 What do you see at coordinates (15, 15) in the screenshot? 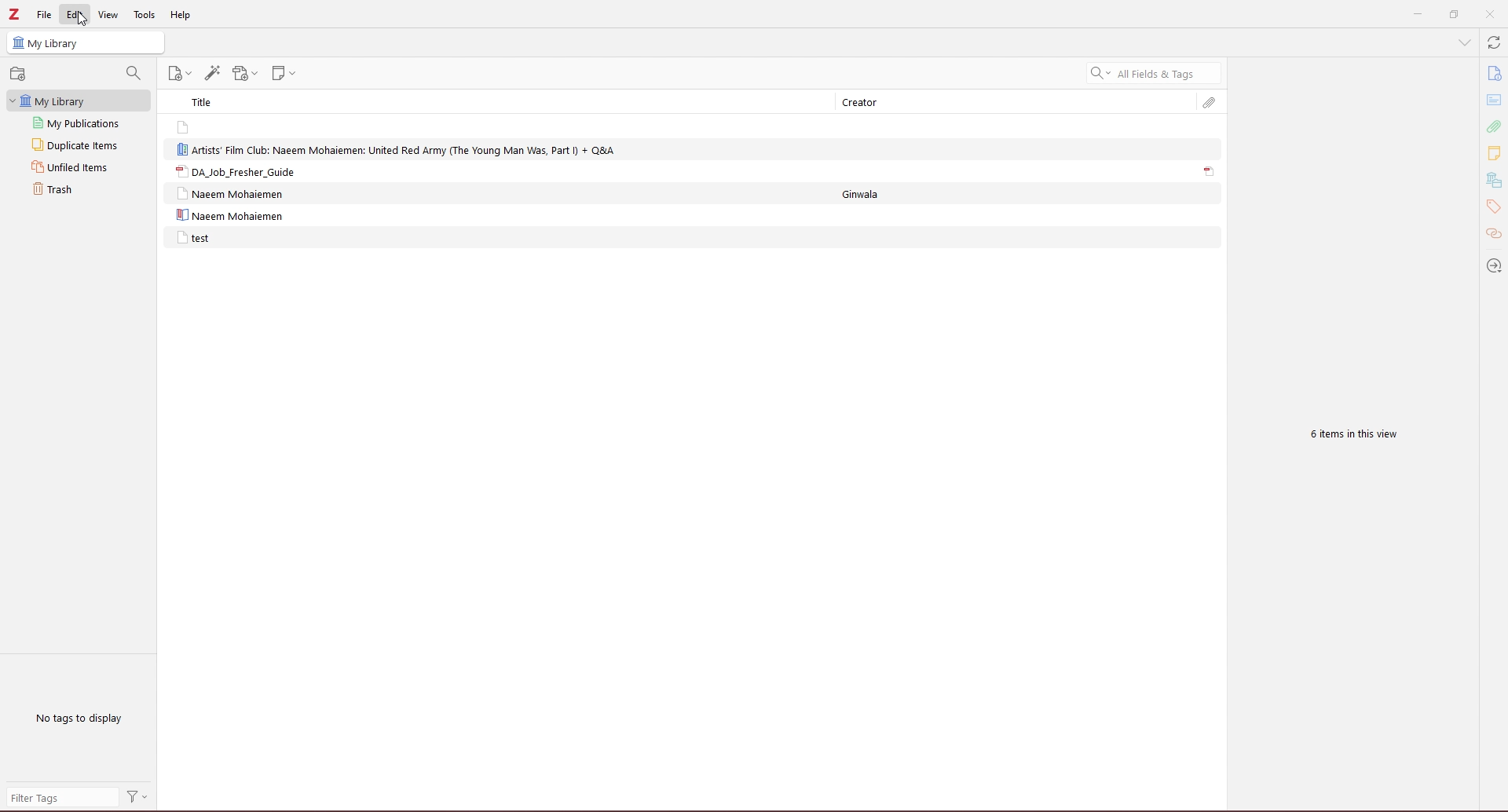
I see `zotero` at bounding box center [15, 15].